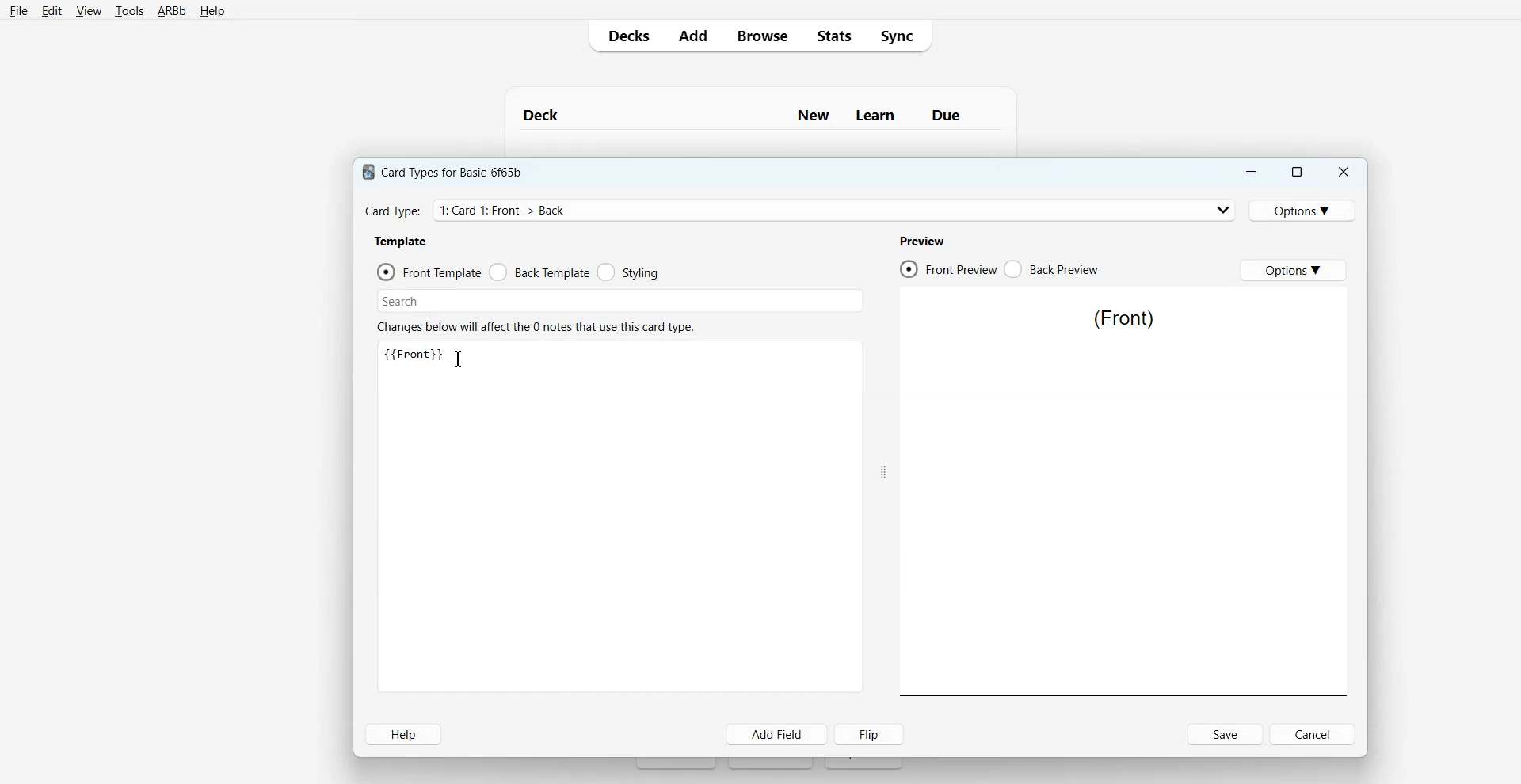 Image resolution: width=1521 pixels, height=784 pixels. I want to click on Sync, so click(902, 36).